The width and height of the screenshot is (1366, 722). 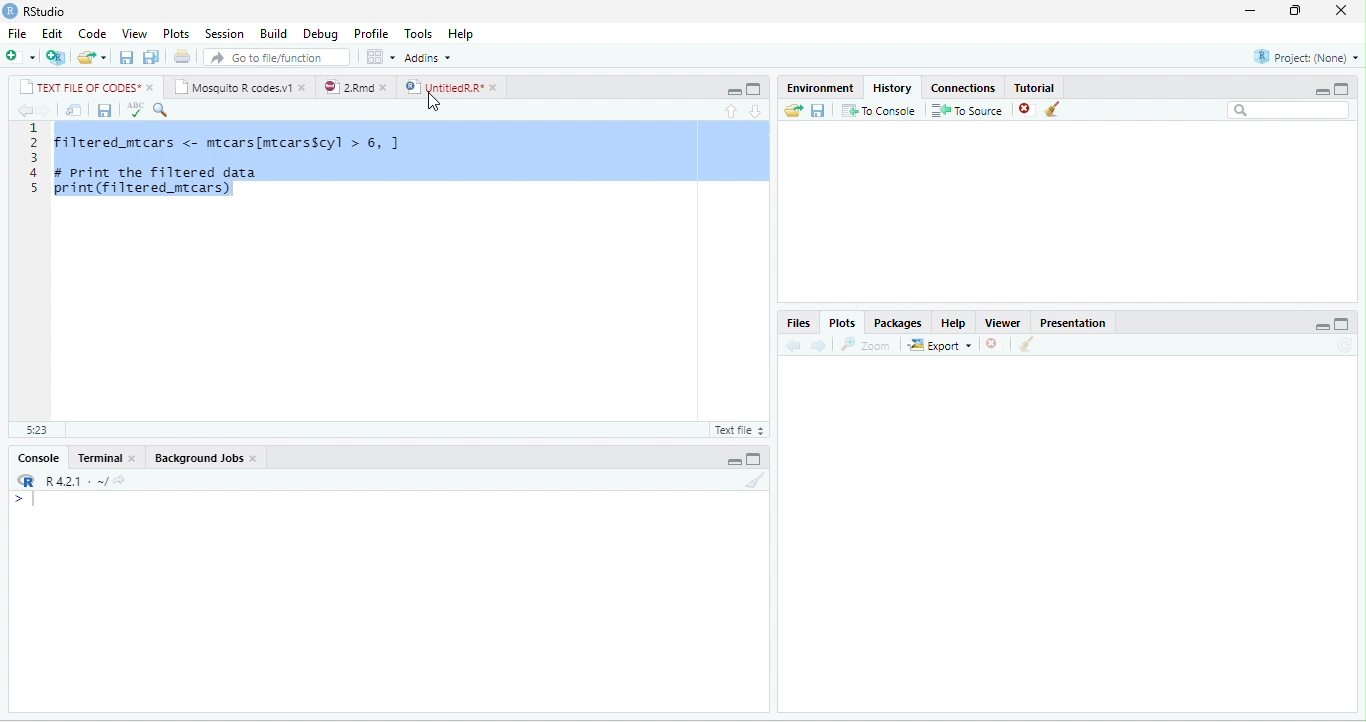 What do you see at coordinates (753, 460) in the screenshot?
I see `maximize` at bounding box center [753, 460].